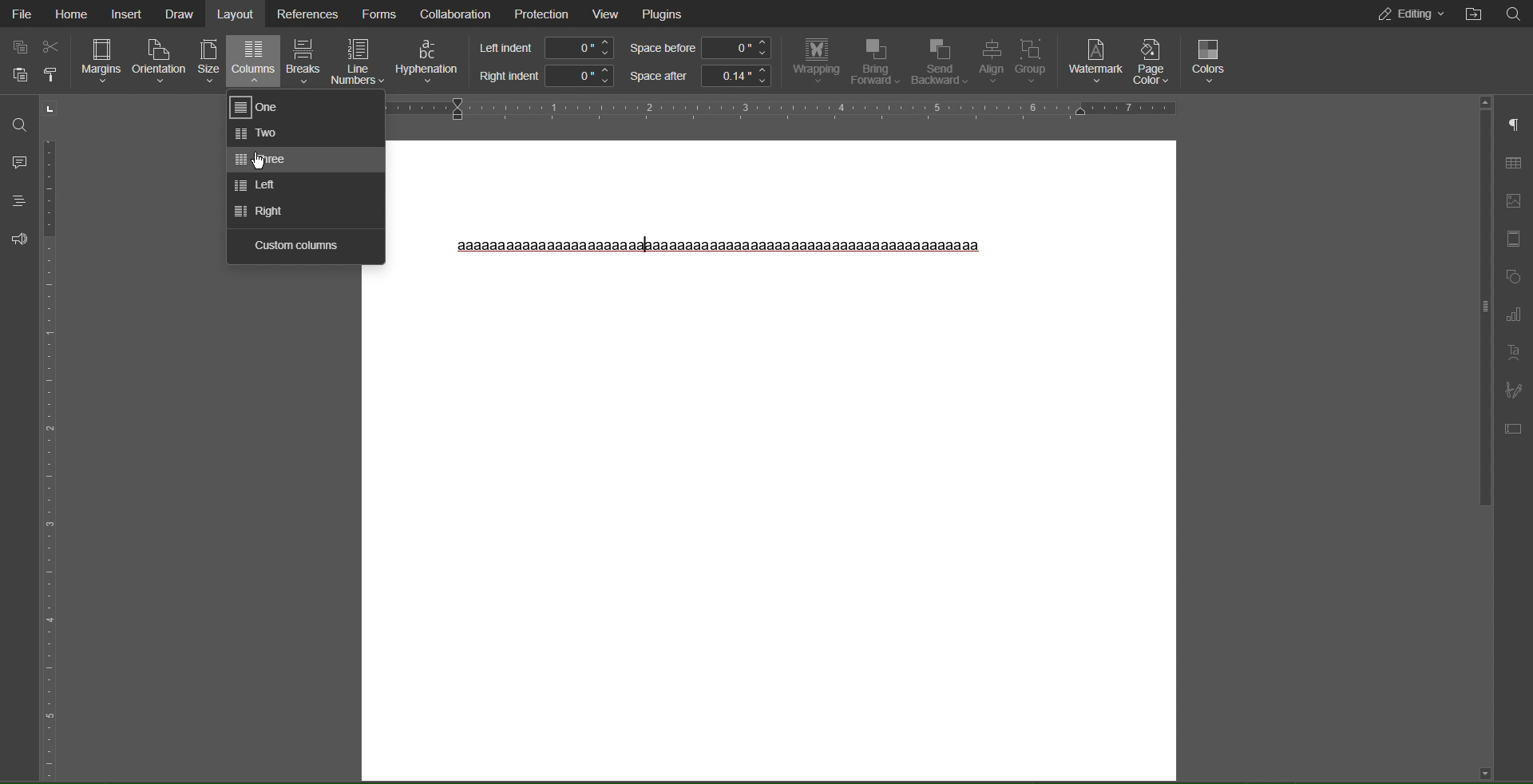 The height and width of the screenshot is (784, 1533). What do you see at coordinates (814, 62) in the screenshot?
I see `Wrapping` at bounding box center [814, 62].